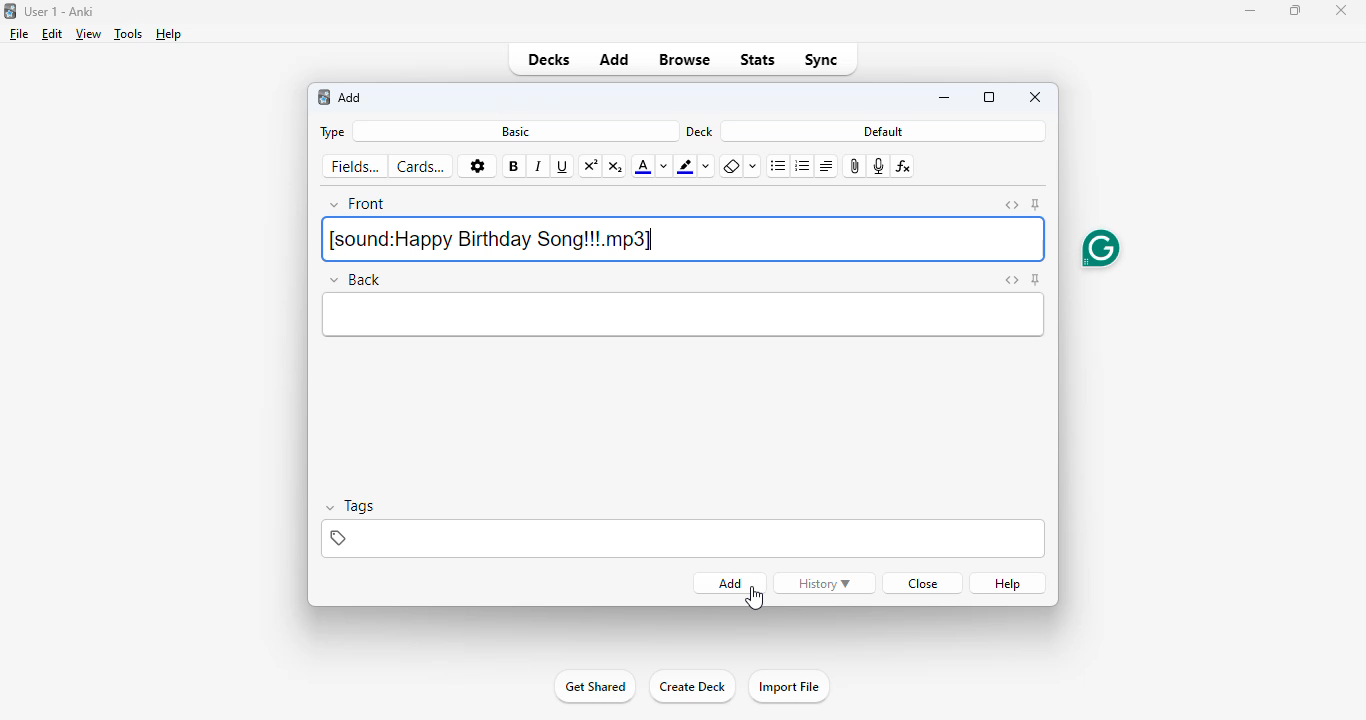 Image resolution: width=1366 pixels, height=720 pixels. What do you see at coordinates (53, 33) in the screenshot?
I see `edit` at bounding box center [53, 33].